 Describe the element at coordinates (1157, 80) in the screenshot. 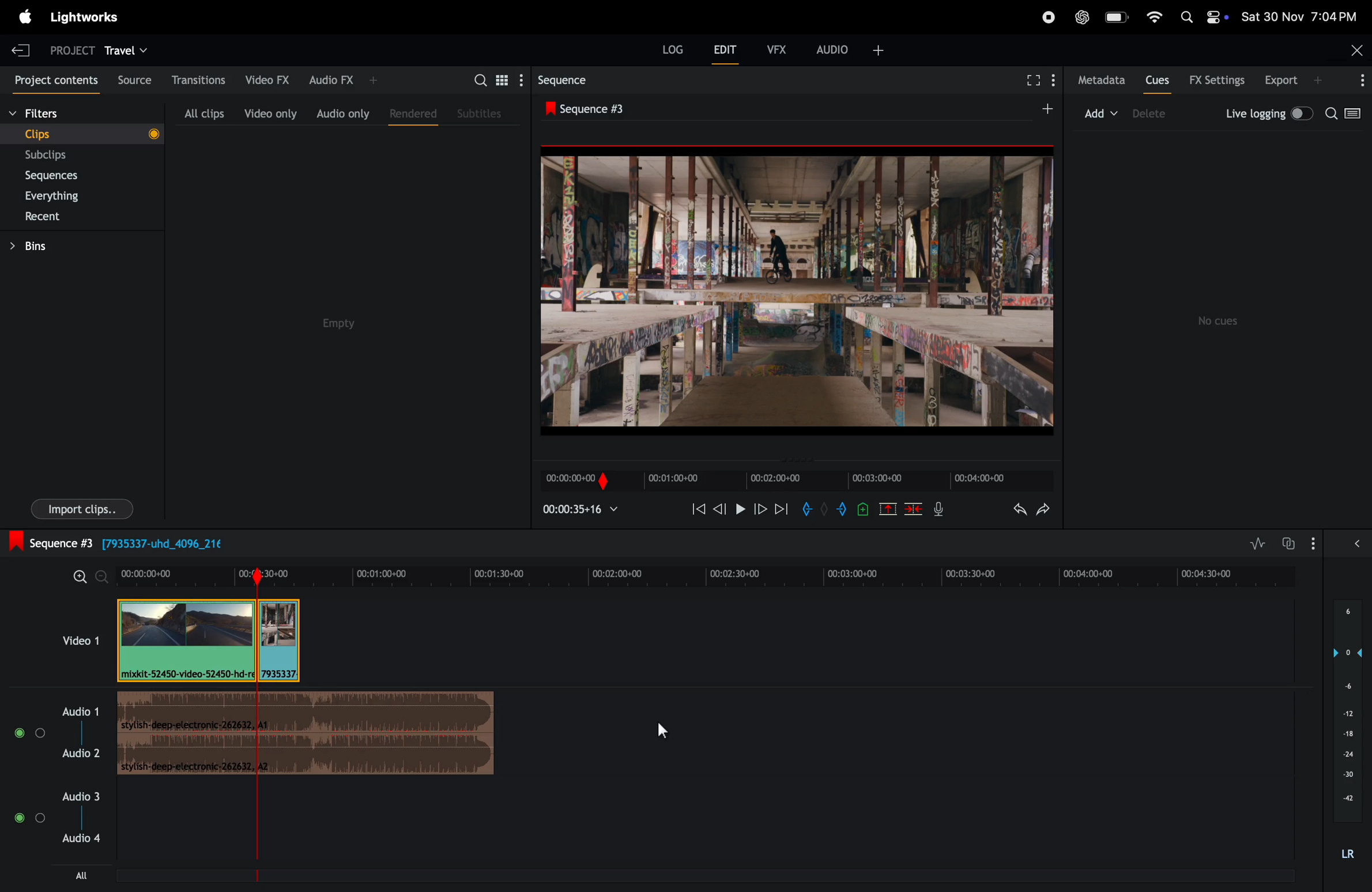

I see `cues ` at that location.